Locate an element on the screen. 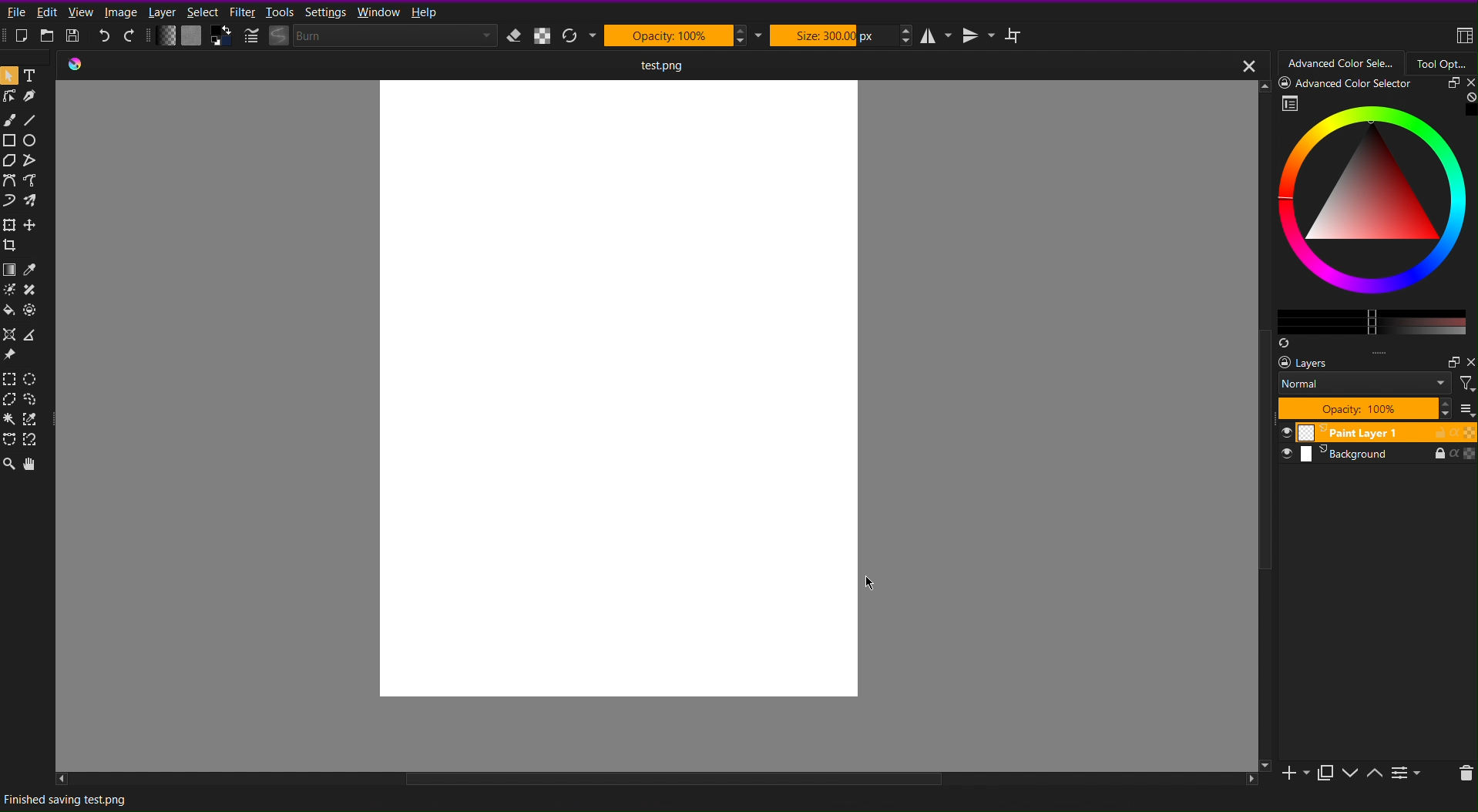  Tools is located at coordinates (280, 12).